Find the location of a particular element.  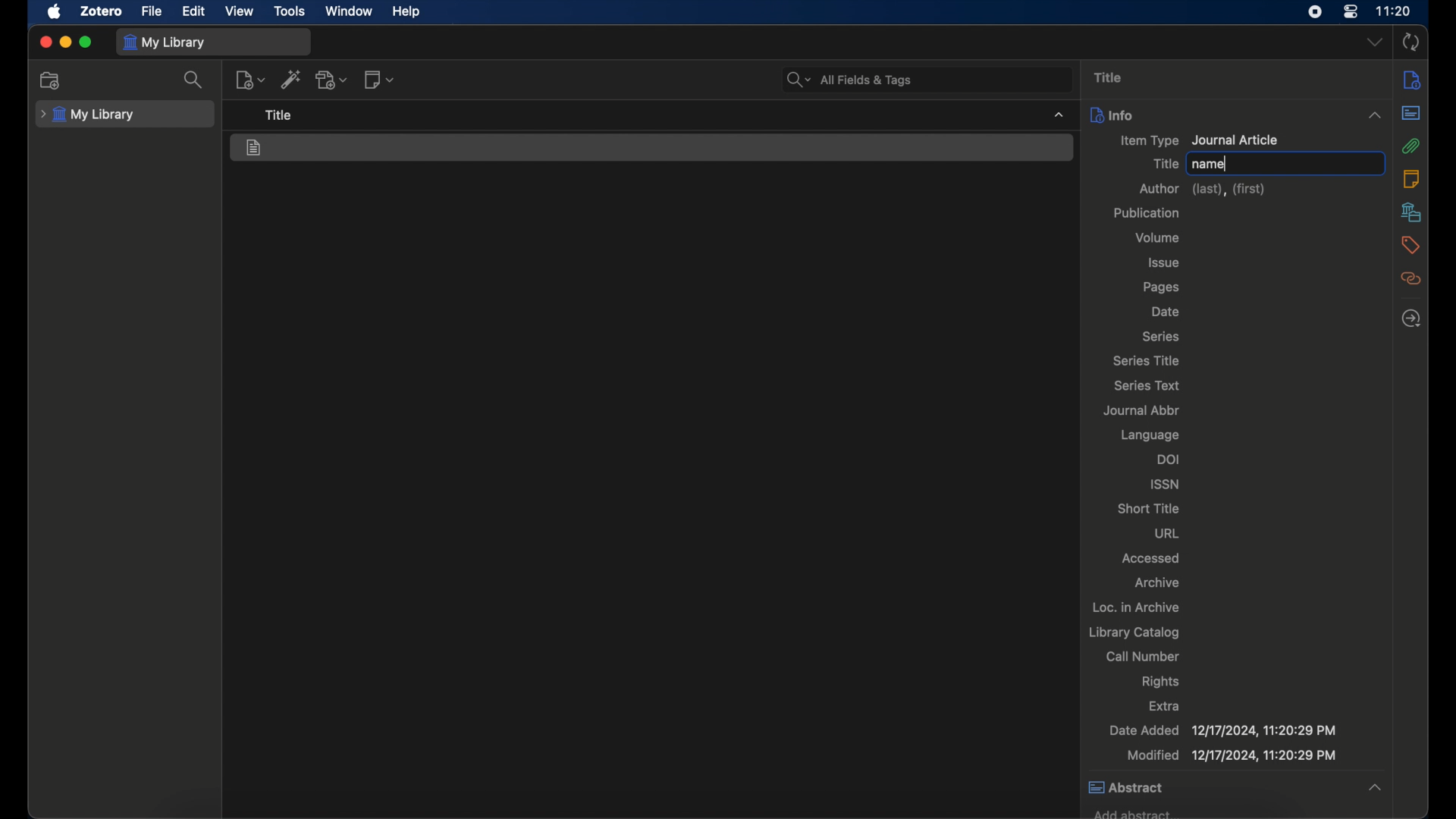

abstract is located at coordinates (1234, 788).